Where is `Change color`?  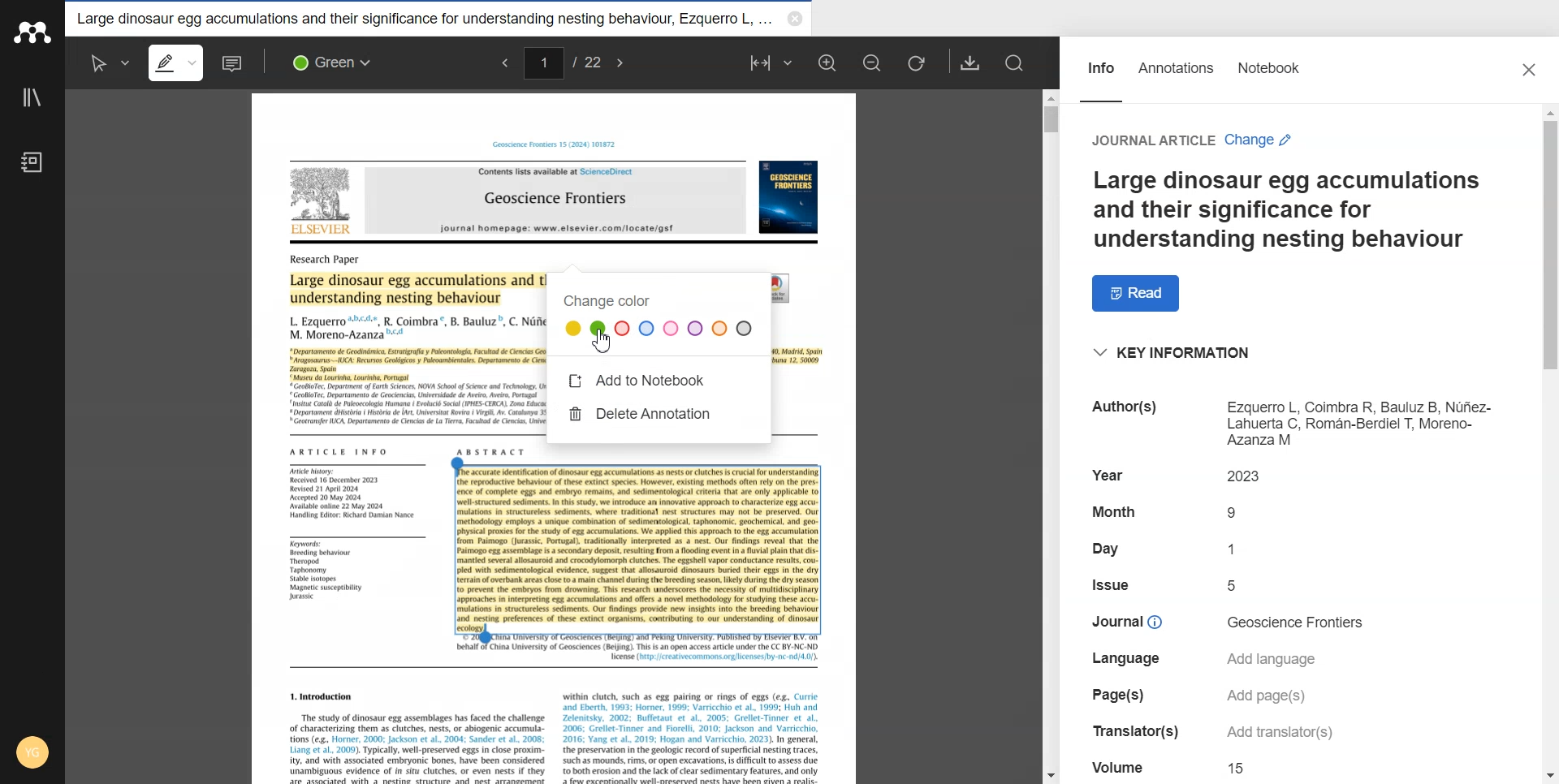 Change color is located at coordinates (659, 321).